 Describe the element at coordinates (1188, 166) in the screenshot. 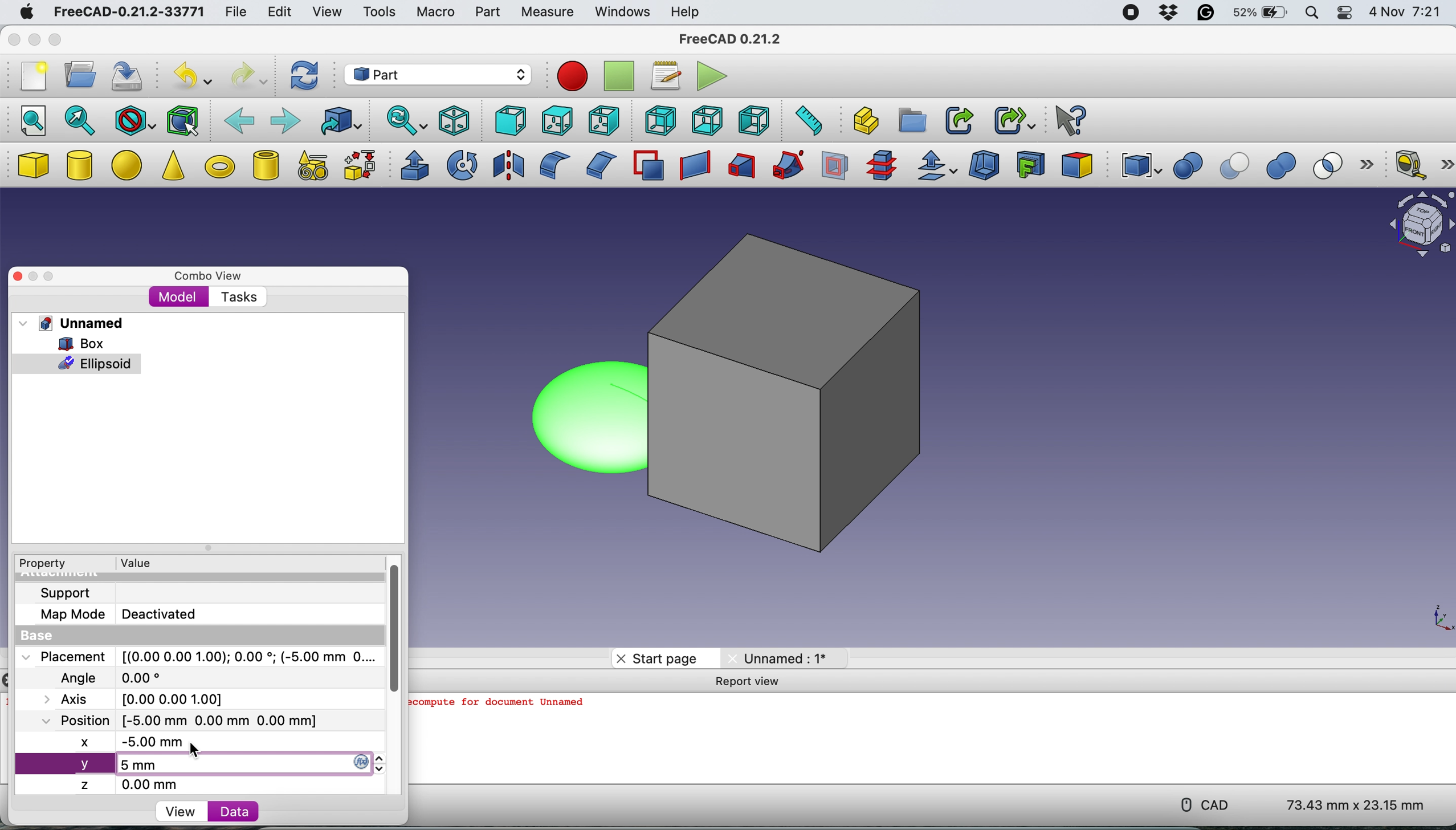

I see `boolean` at that location.